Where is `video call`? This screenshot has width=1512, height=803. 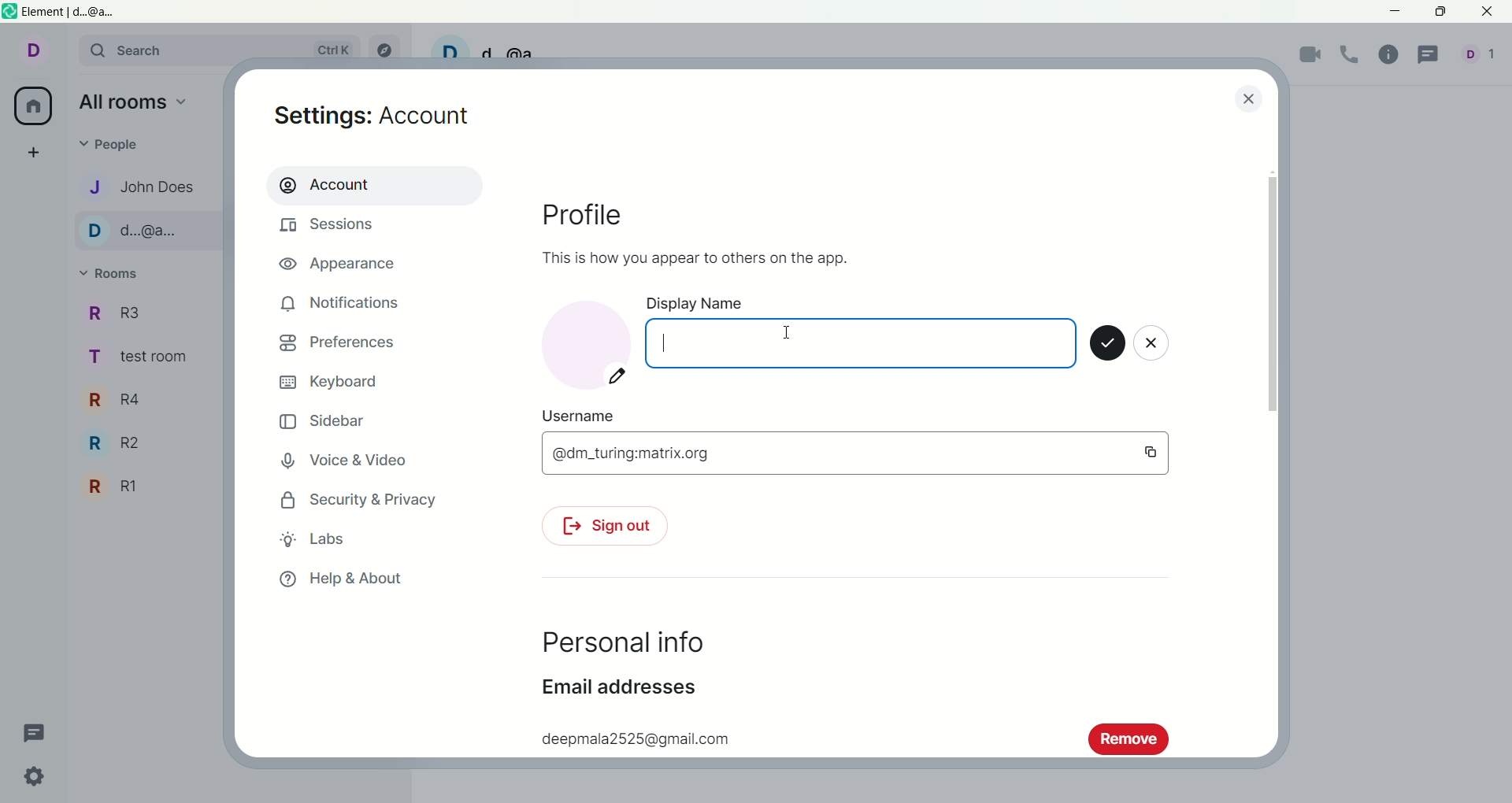 video call is located at coordinates (1311, 57).